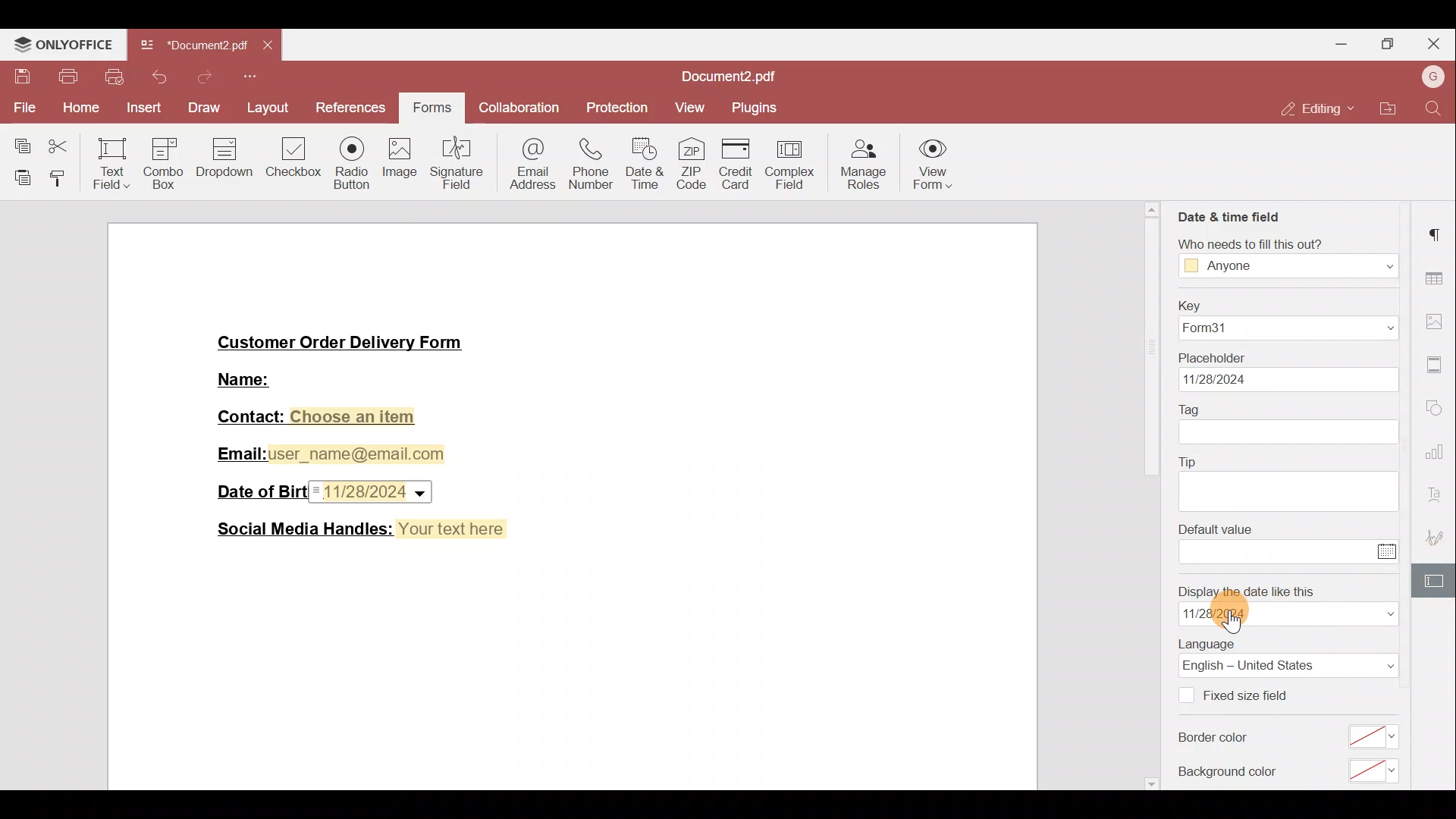 This screenshot has width=1456, height=819. Describe the element at coordinates (1252, 243) in the screenshot. I see `Who needs to fill this out?` at that location.